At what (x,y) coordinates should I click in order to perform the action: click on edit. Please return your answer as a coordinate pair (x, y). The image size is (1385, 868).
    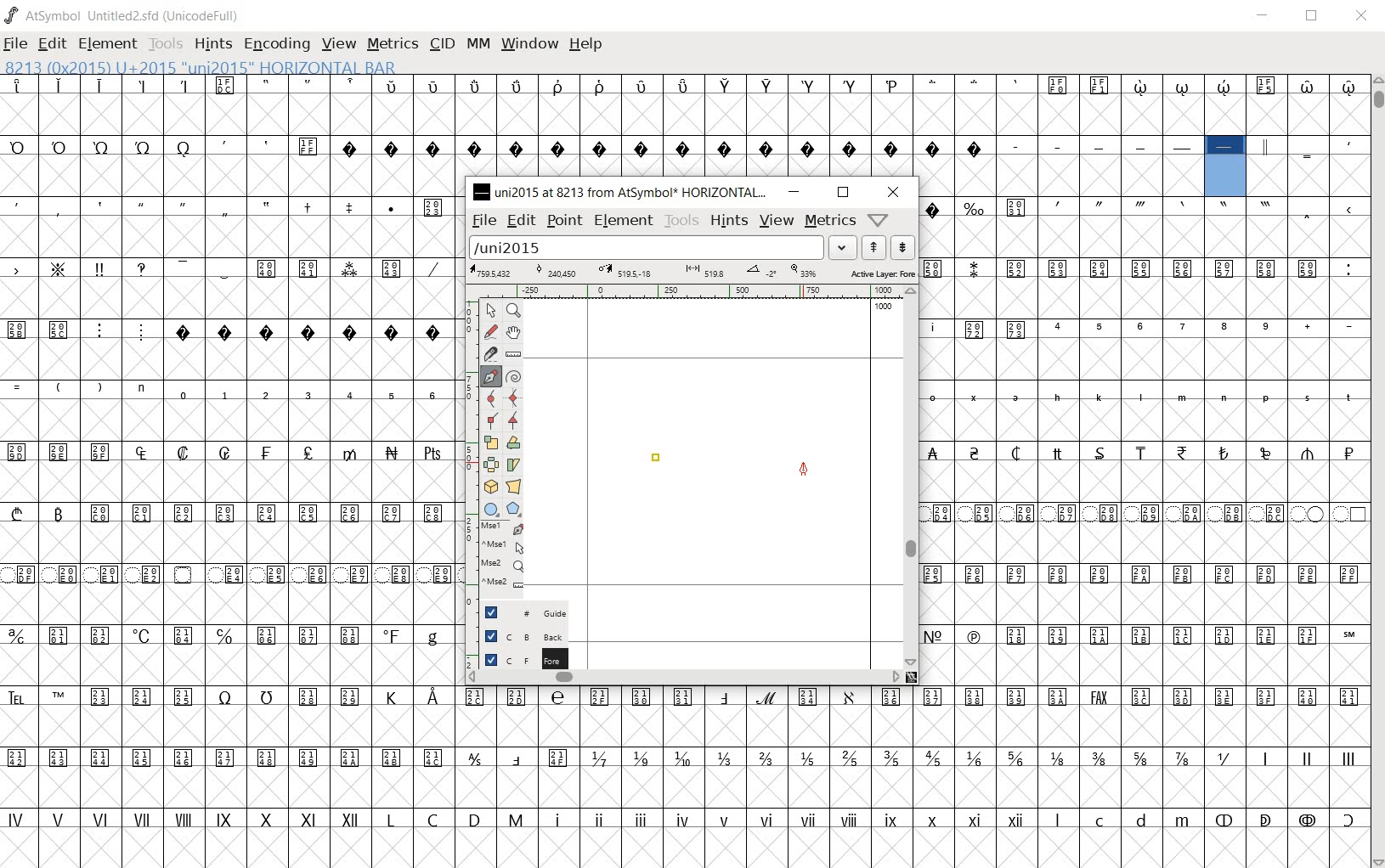
    Looking at the image, I should click on (522, 222).